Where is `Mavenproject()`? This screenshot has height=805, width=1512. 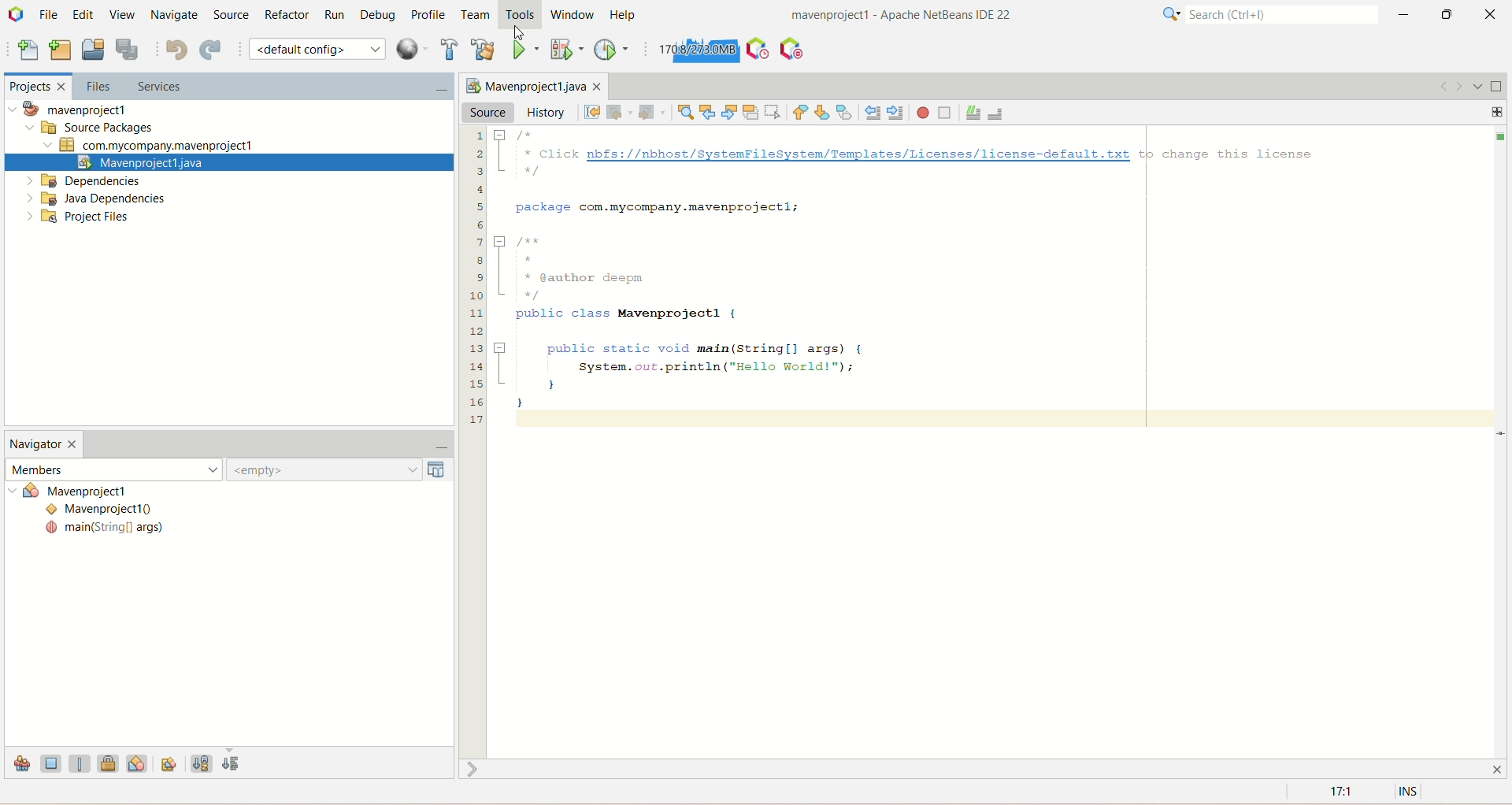
Mavenproject() is located at coordinates (106, 510).